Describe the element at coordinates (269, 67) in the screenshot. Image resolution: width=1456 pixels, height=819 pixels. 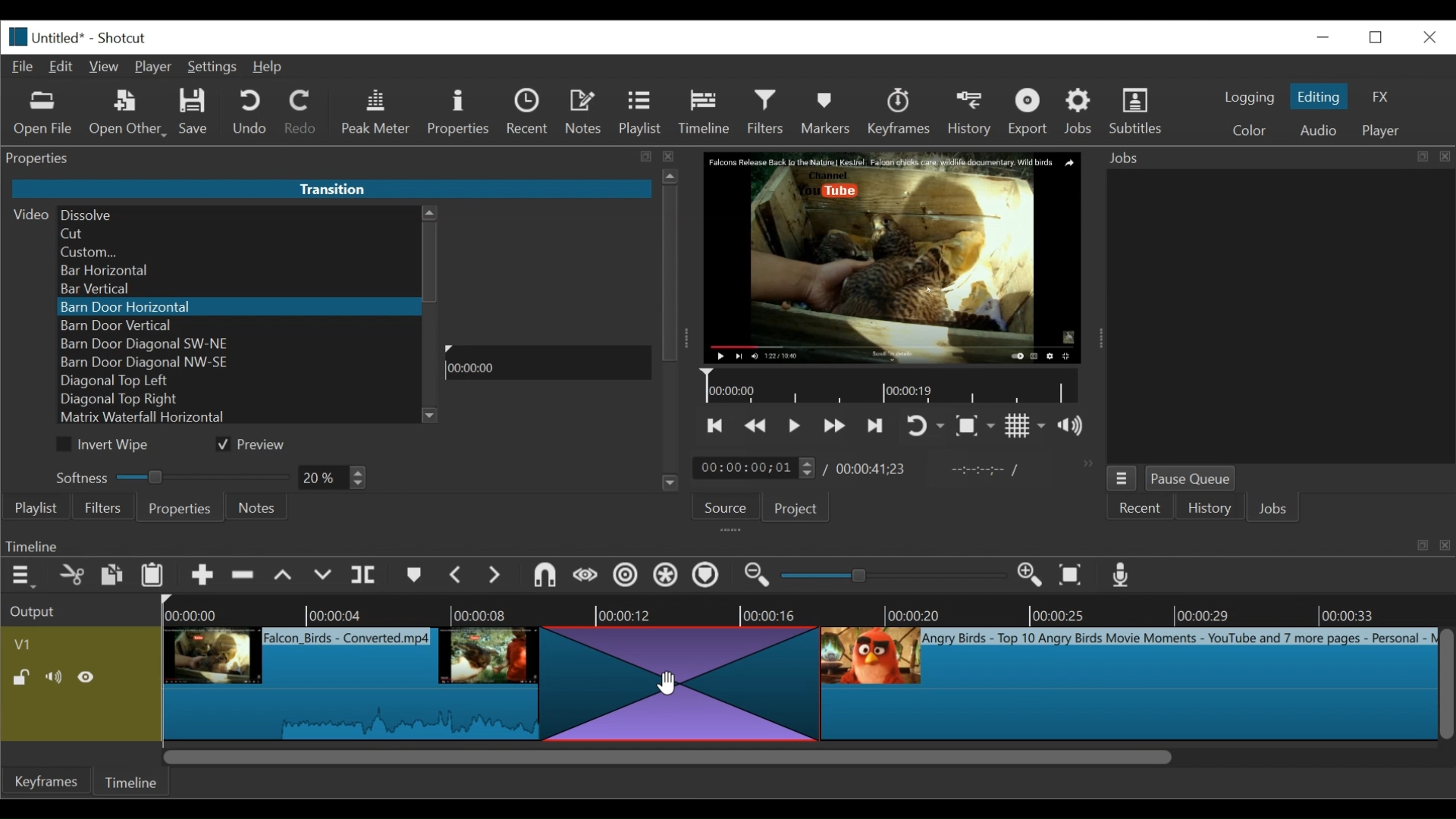
I see `Help` at that location.